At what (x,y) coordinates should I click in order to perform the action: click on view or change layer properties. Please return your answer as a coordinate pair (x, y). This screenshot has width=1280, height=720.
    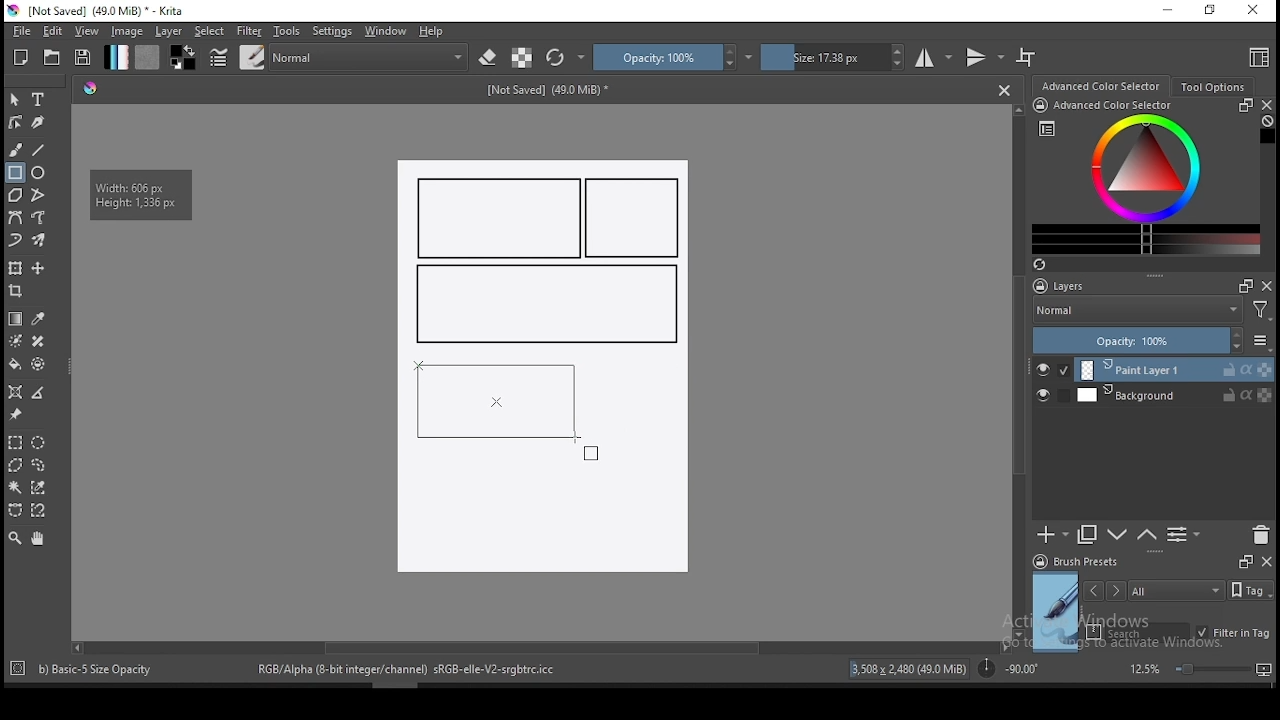
    Looking at the image, I should click on (1183, 534).